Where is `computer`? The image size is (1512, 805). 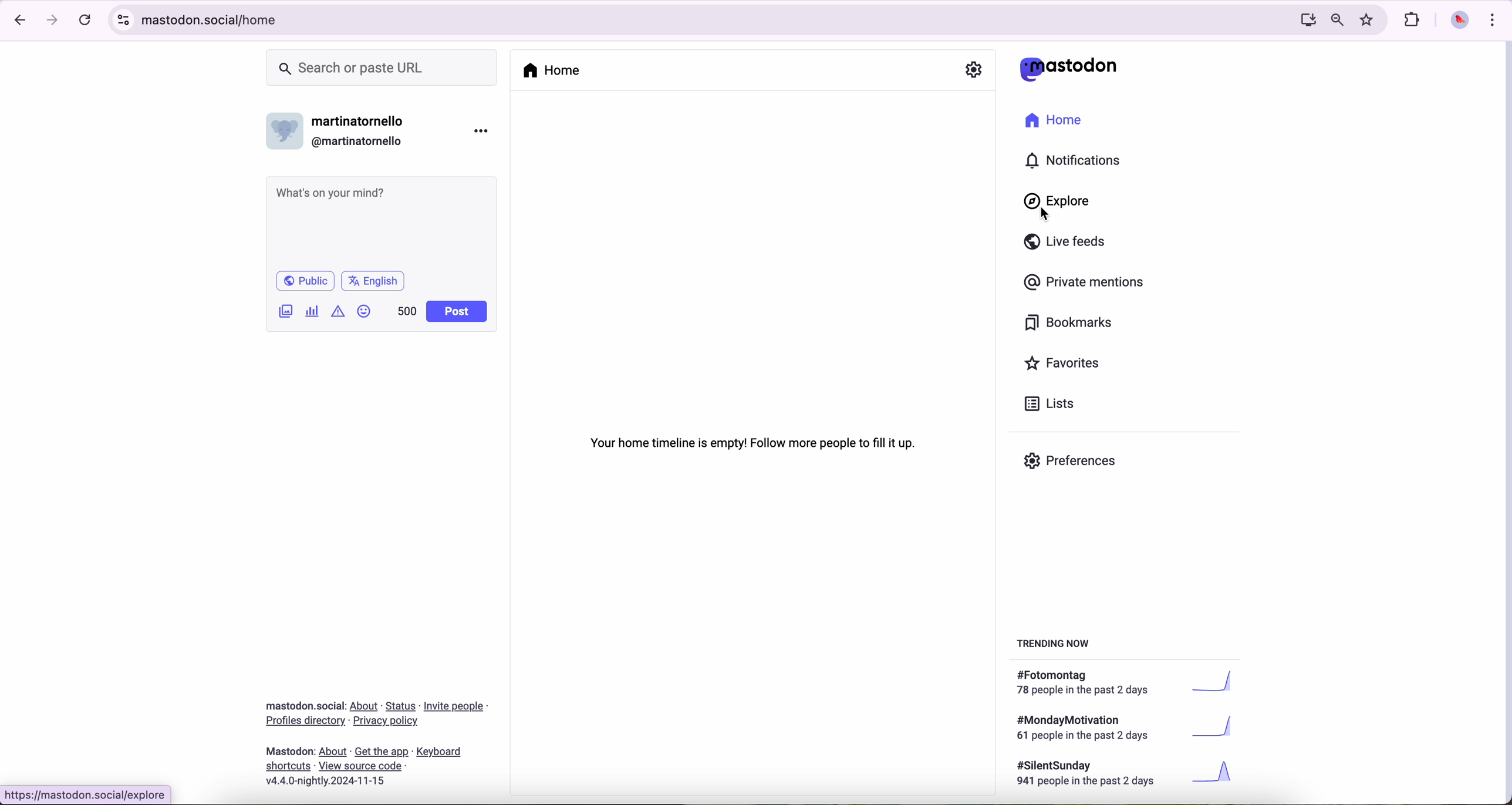 computer is located at coordinates (1303, 19).